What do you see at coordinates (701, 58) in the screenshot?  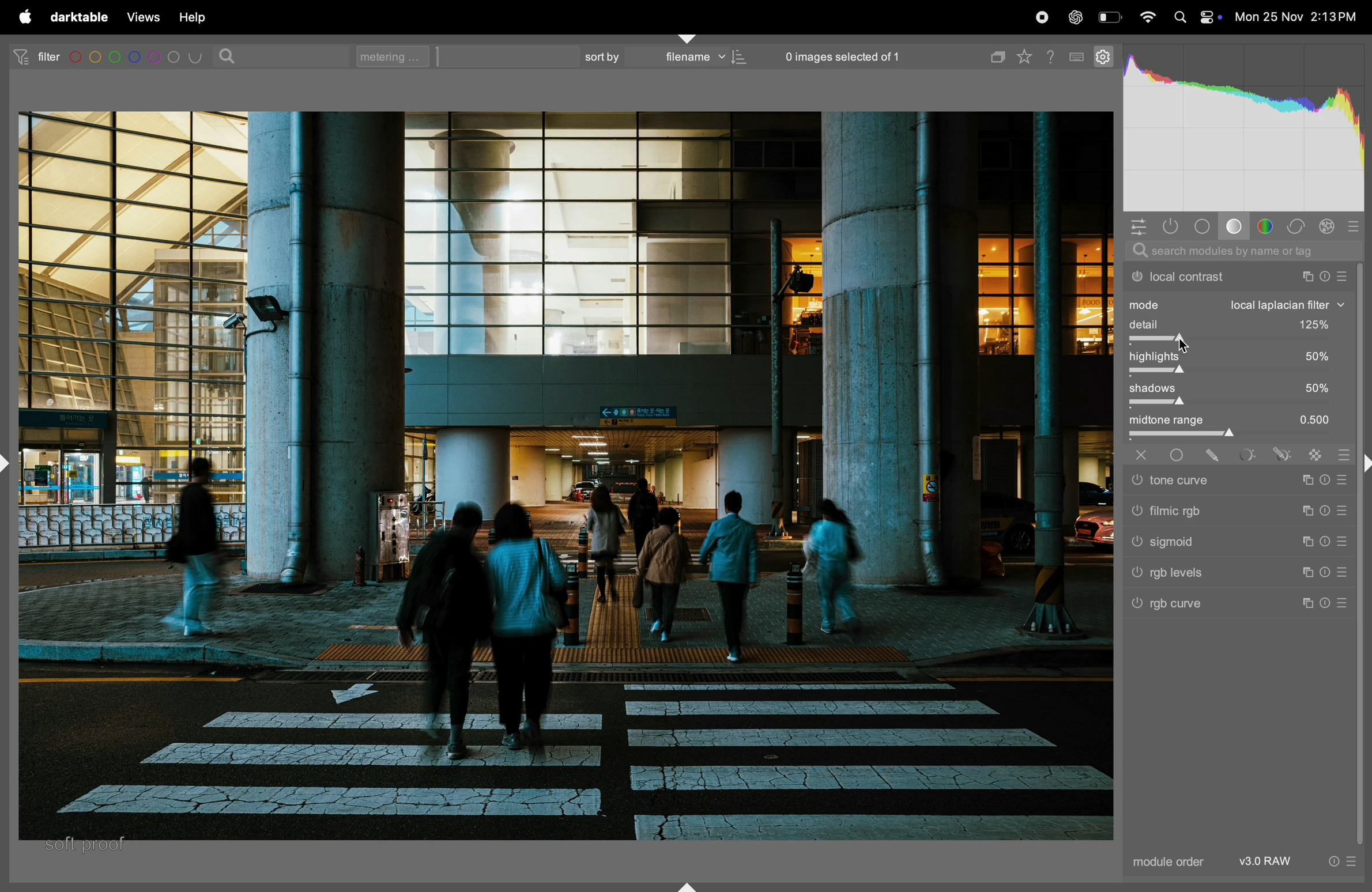 I see `filename` at bounding box center [701, 58].